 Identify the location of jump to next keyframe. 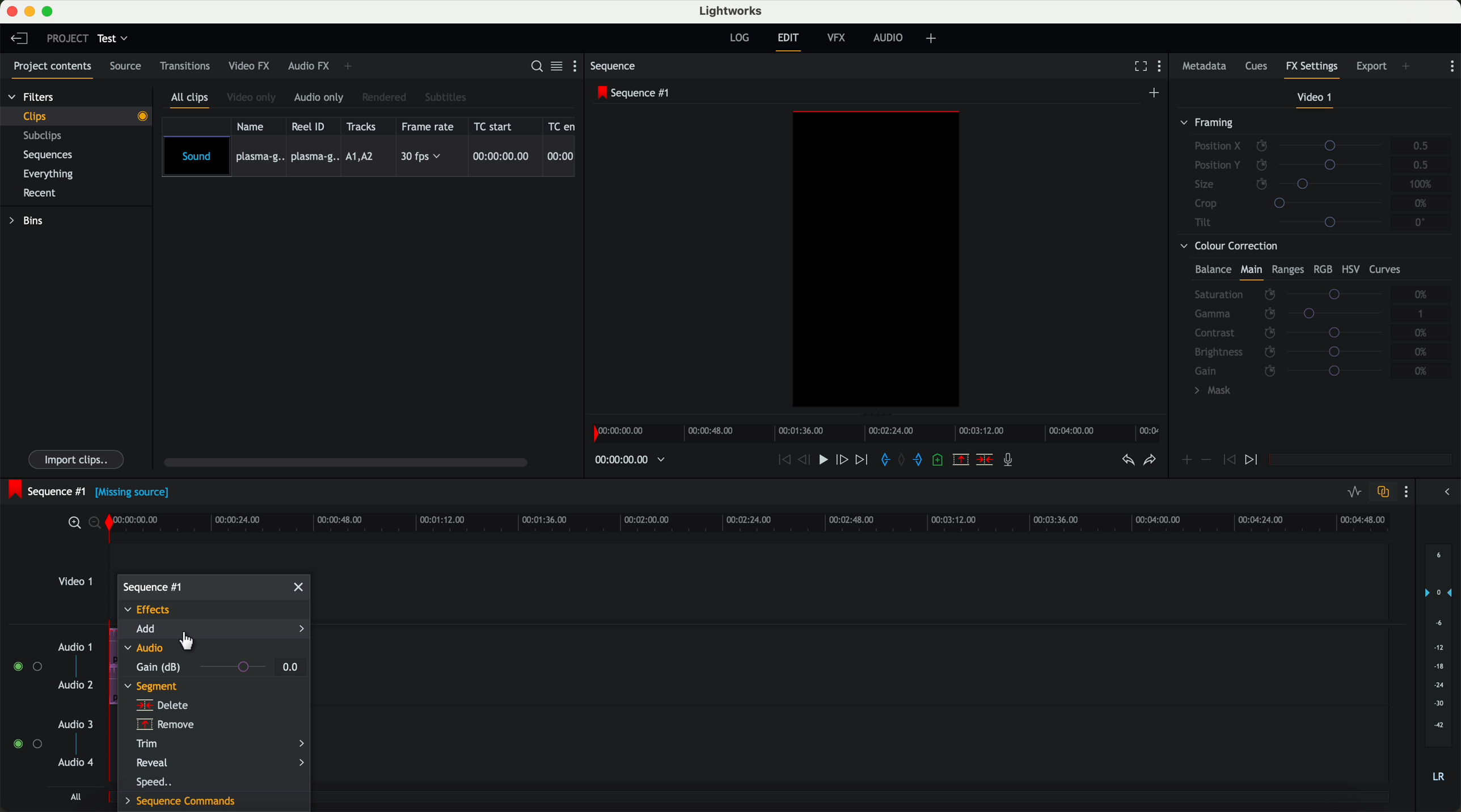
(1253, 460).